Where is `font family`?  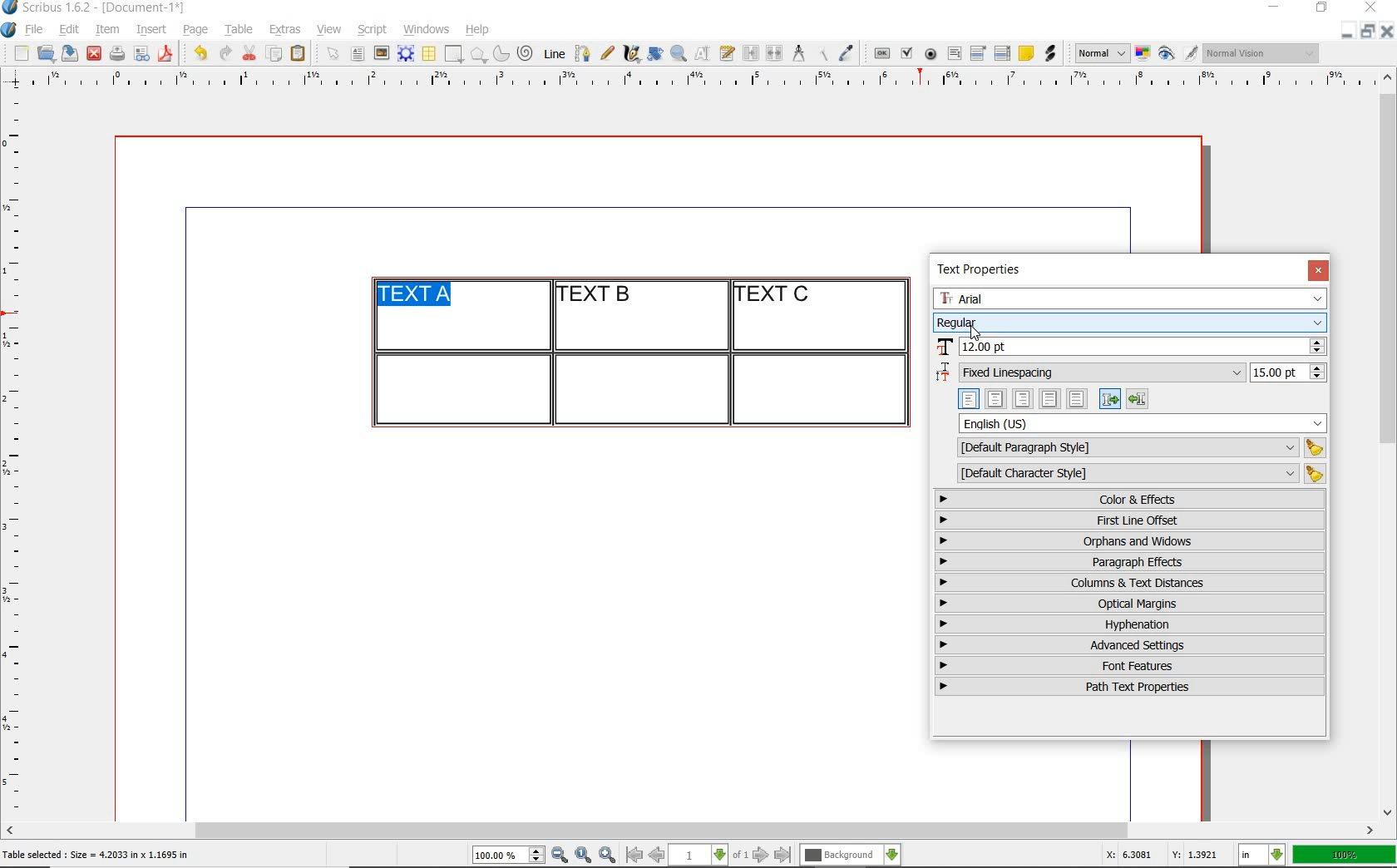 font family is located at coordinates (1130, 299).